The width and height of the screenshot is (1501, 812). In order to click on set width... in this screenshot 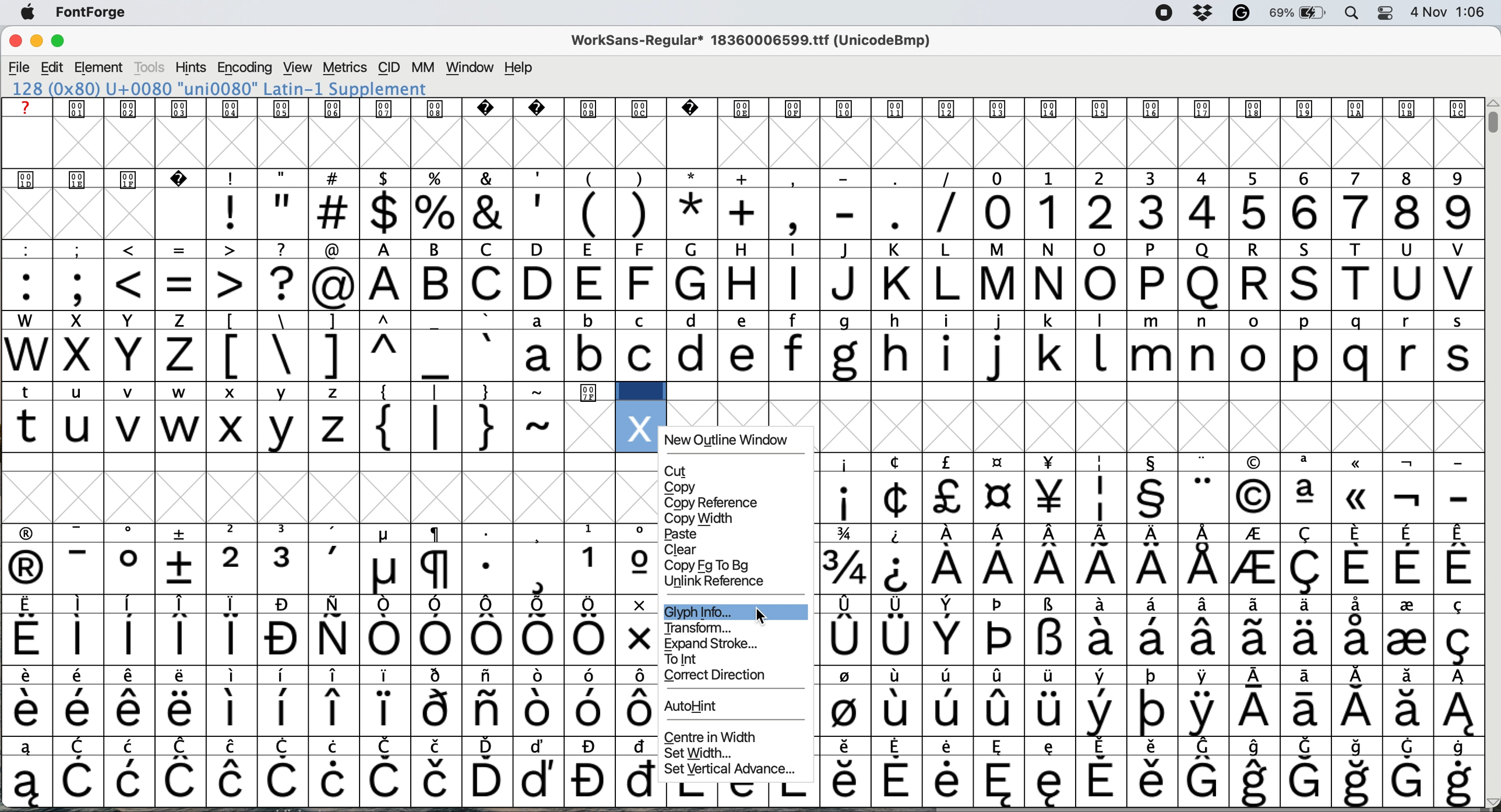, I will do `click(696, 753)`.